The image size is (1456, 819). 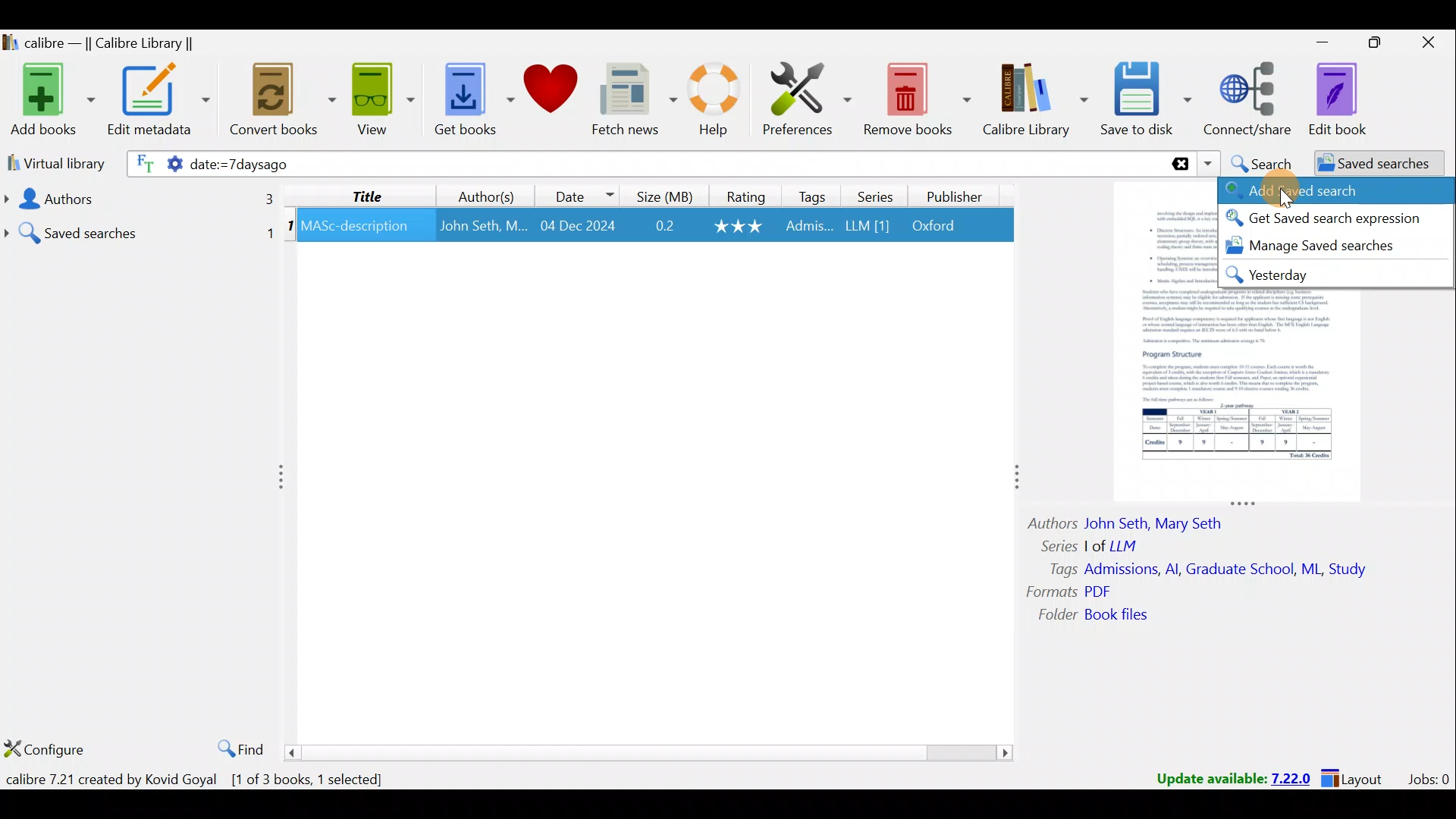 I want to click on Connect/share, so click(x=1251, y=100).